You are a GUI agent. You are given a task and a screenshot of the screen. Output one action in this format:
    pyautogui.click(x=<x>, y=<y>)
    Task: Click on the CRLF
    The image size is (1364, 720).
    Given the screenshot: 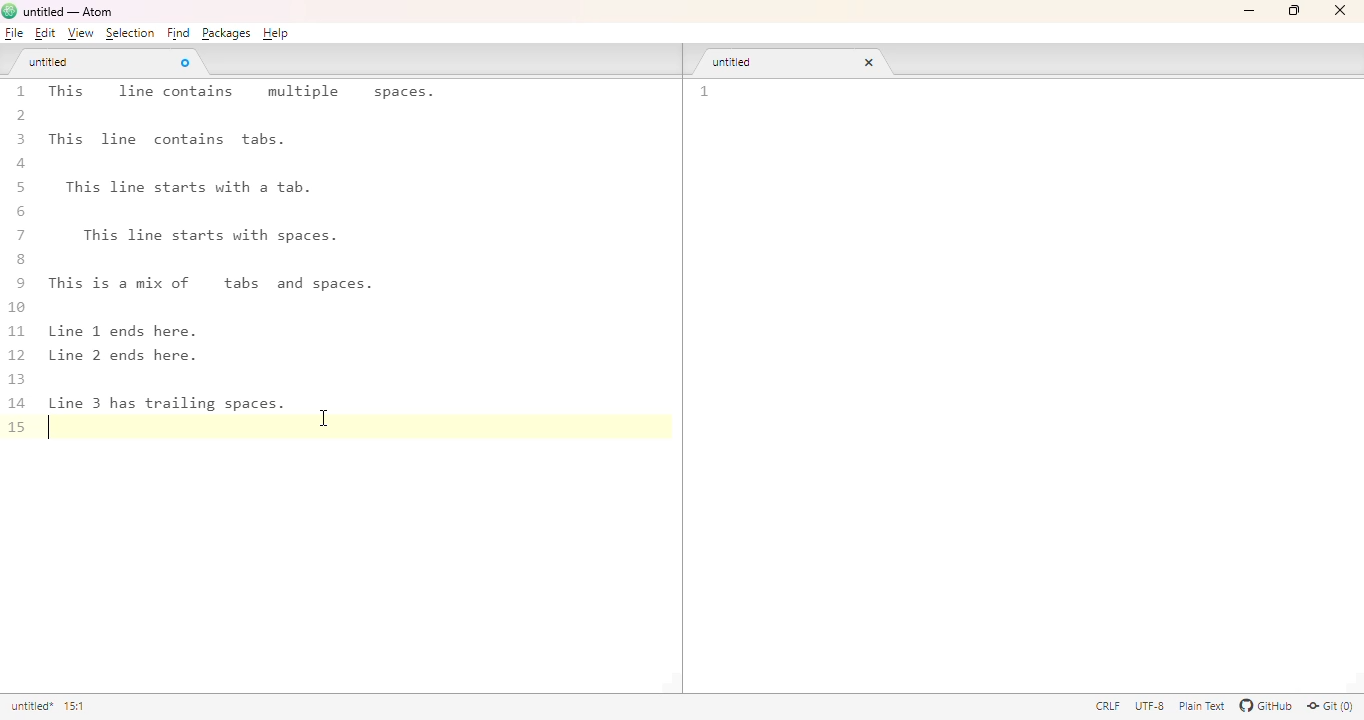 What is the action you would take?
    pyautogui.click(x=1106, y=705)
    